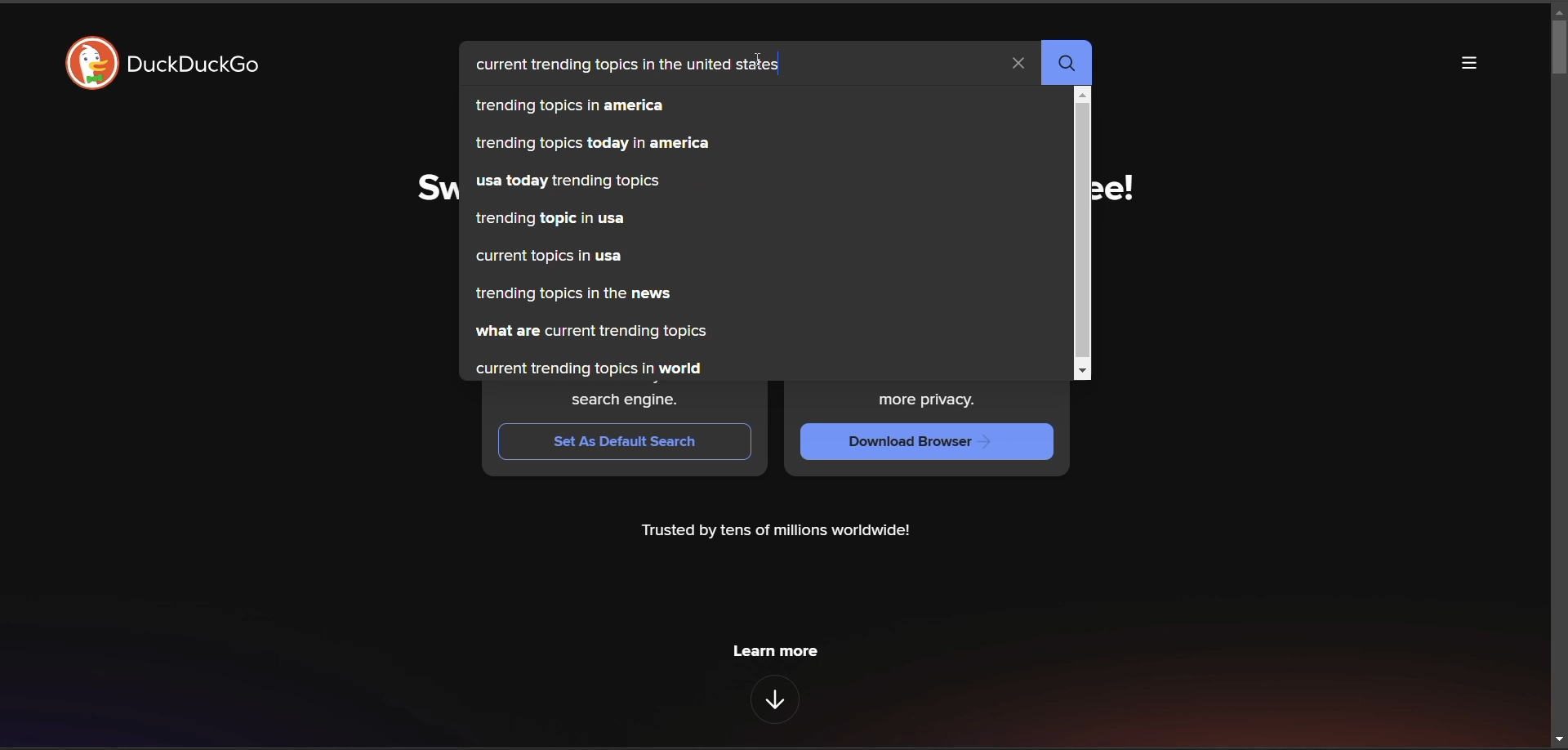 This screenshot has height=750, width=1568. Describe the element at coordinates (577, 106) in the screenshot. I see `trending topics in america` at that location.